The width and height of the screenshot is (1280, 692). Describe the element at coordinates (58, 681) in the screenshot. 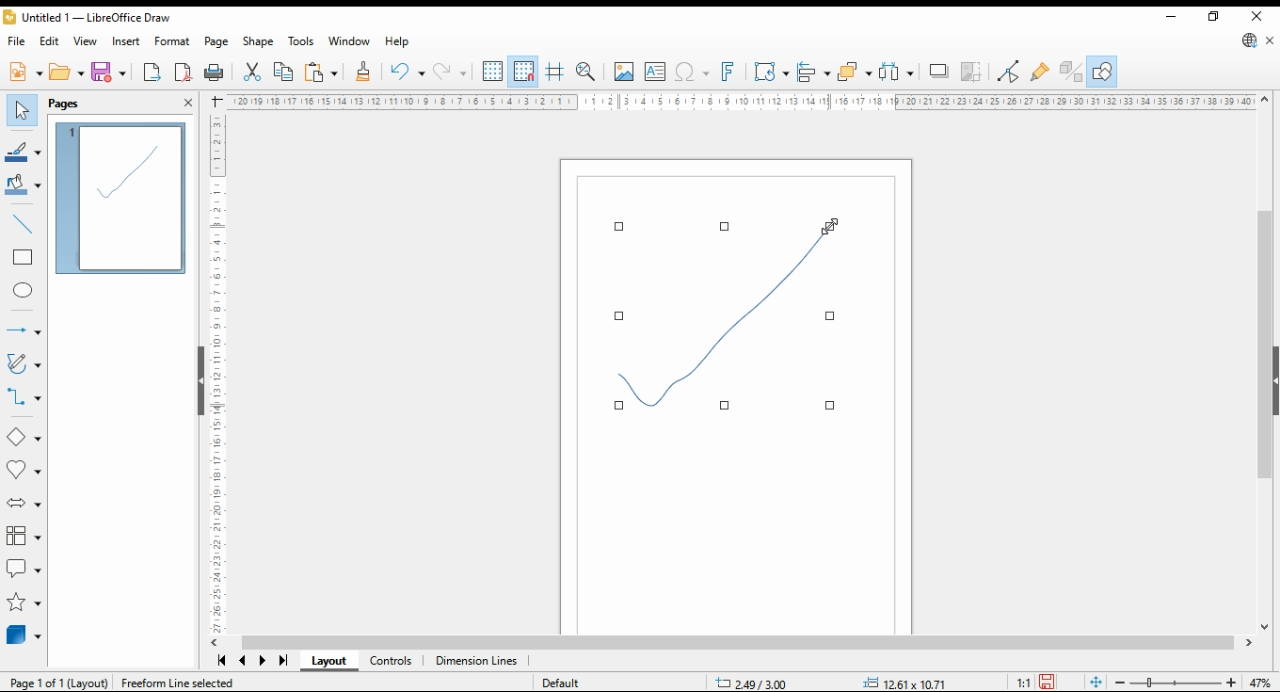

I see `pagw 1 of 1 (layout)` at that location.